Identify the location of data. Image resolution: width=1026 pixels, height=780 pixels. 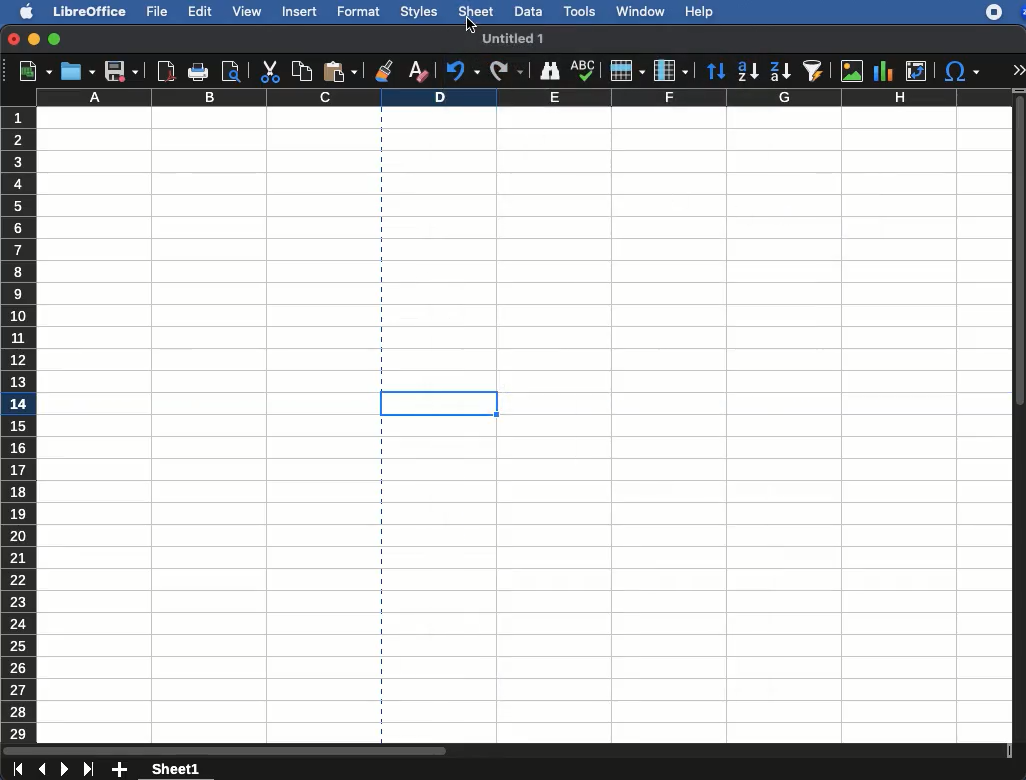
(526, 11).